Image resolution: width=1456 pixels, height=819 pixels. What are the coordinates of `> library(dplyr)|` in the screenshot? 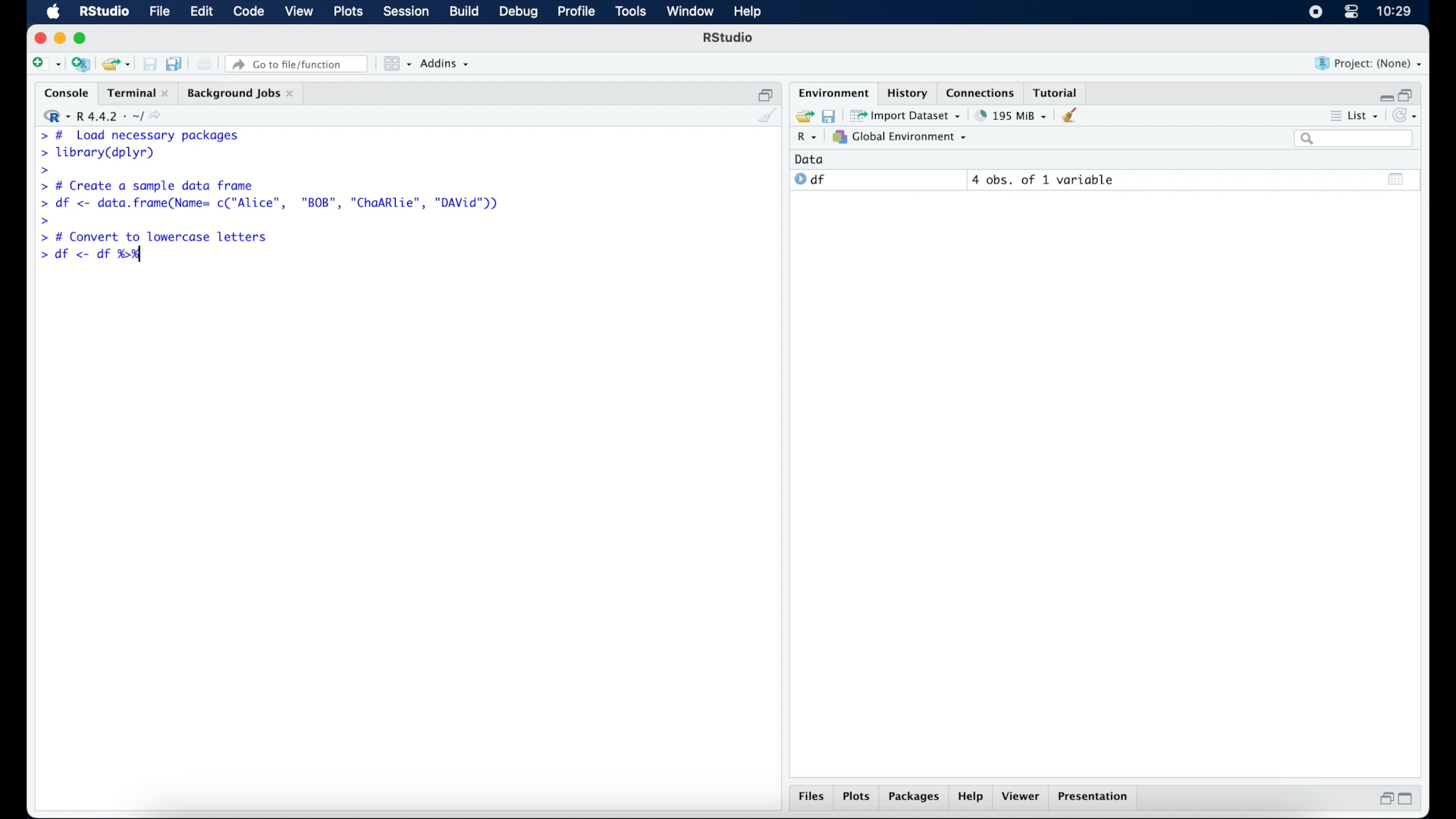 It's located at (101, 153).